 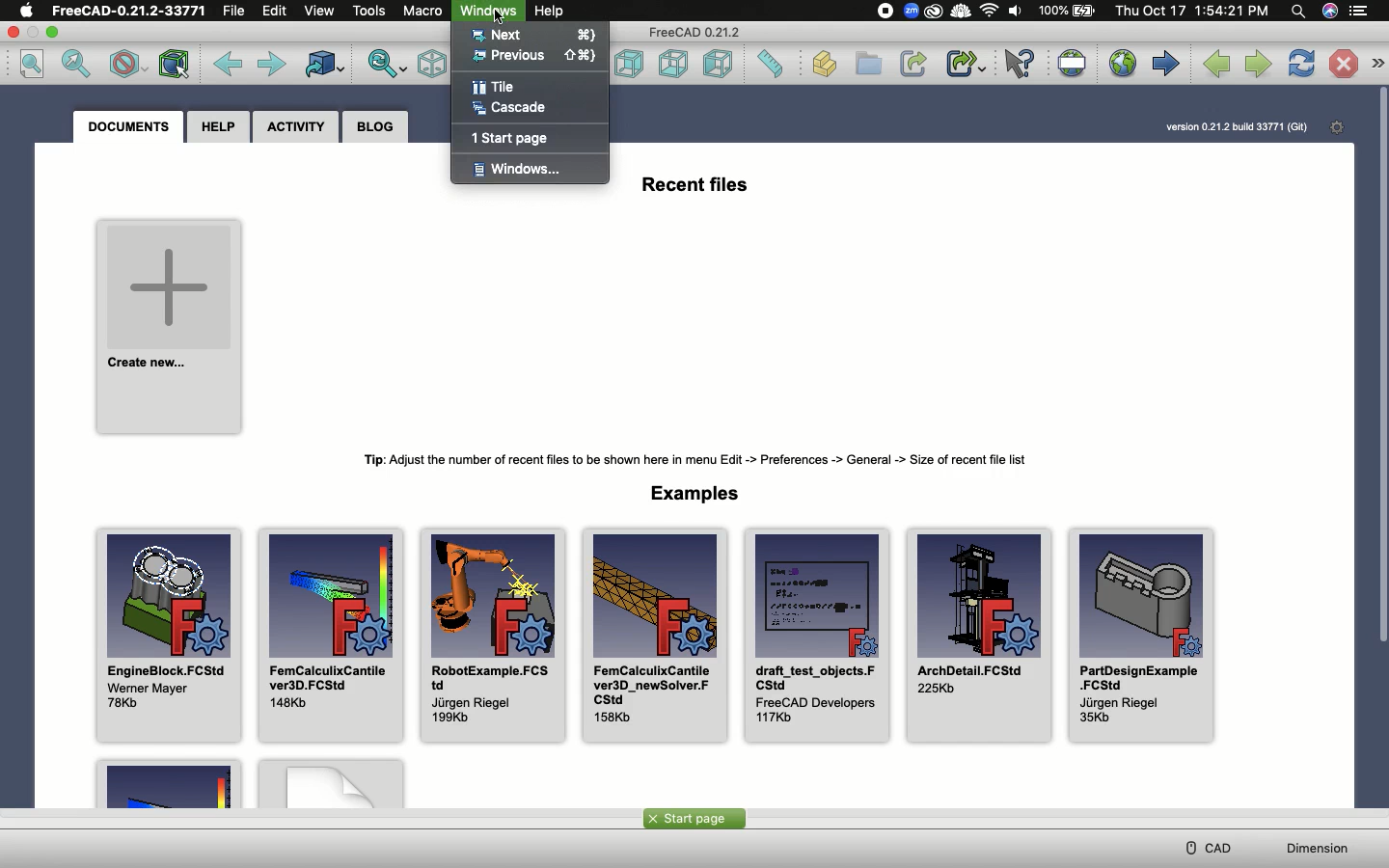 What do you see at coordinates (235, 11) in the screenshot?
I see `File` at bounding box center [235, 11].